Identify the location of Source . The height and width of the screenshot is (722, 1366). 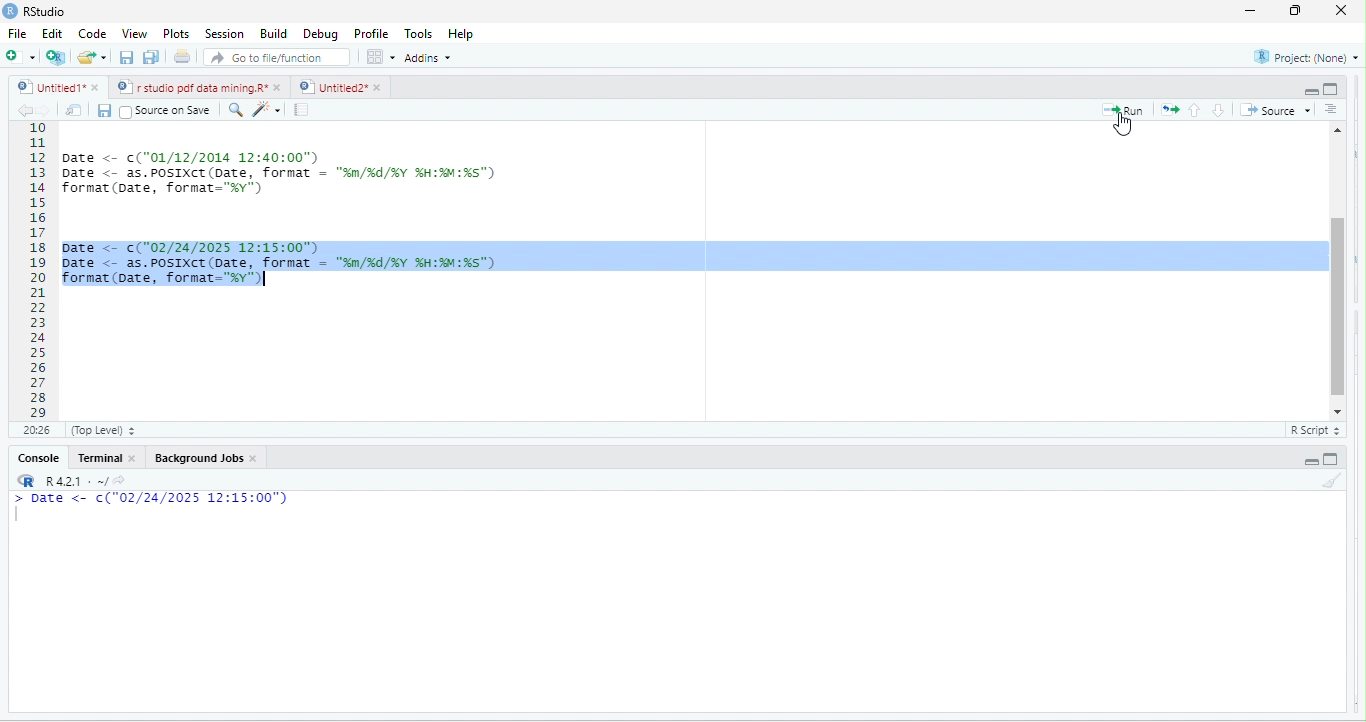
(1277, 110).